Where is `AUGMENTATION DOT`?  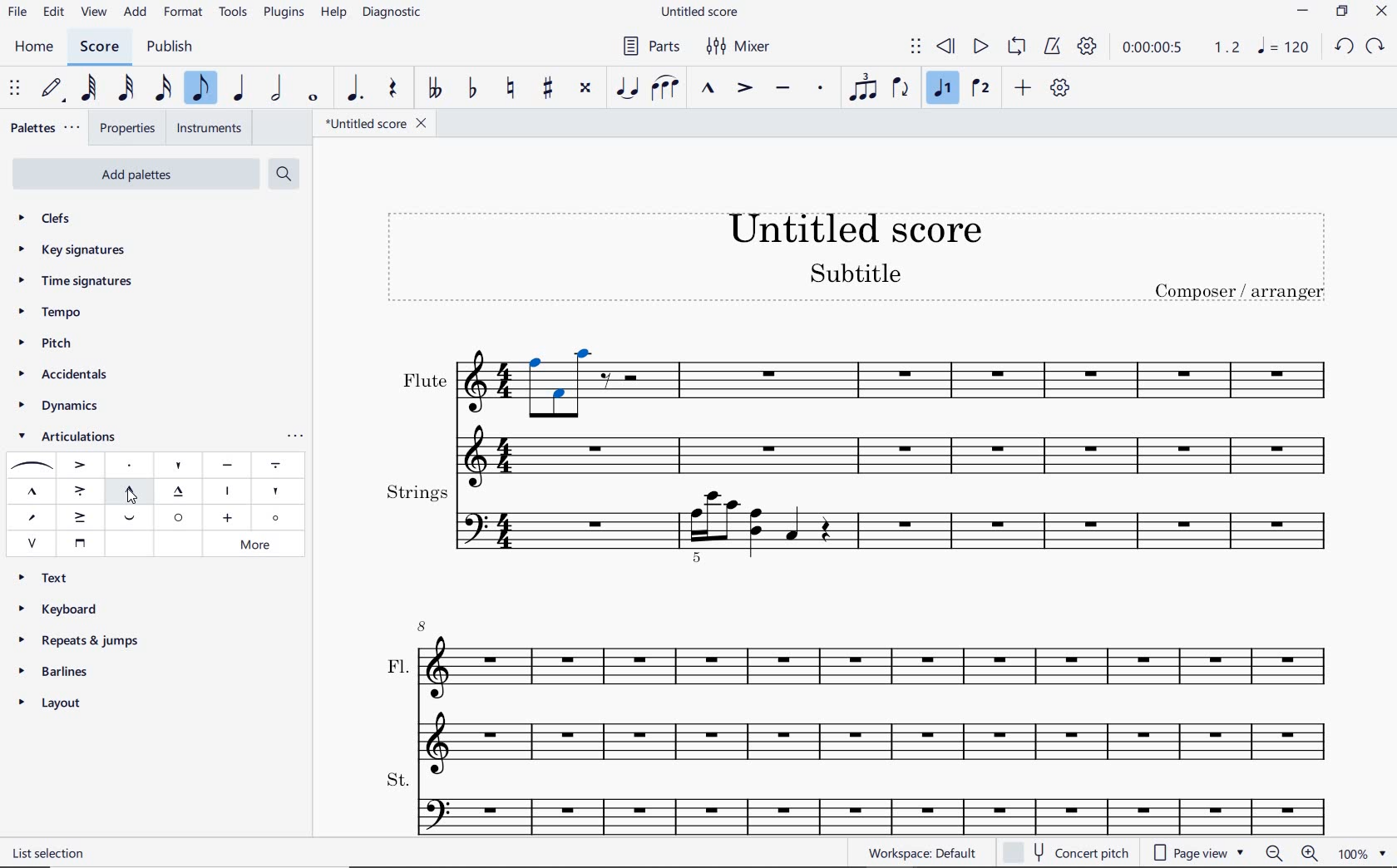 AUGMENTATION DOT is located at coordinates (355, 89).